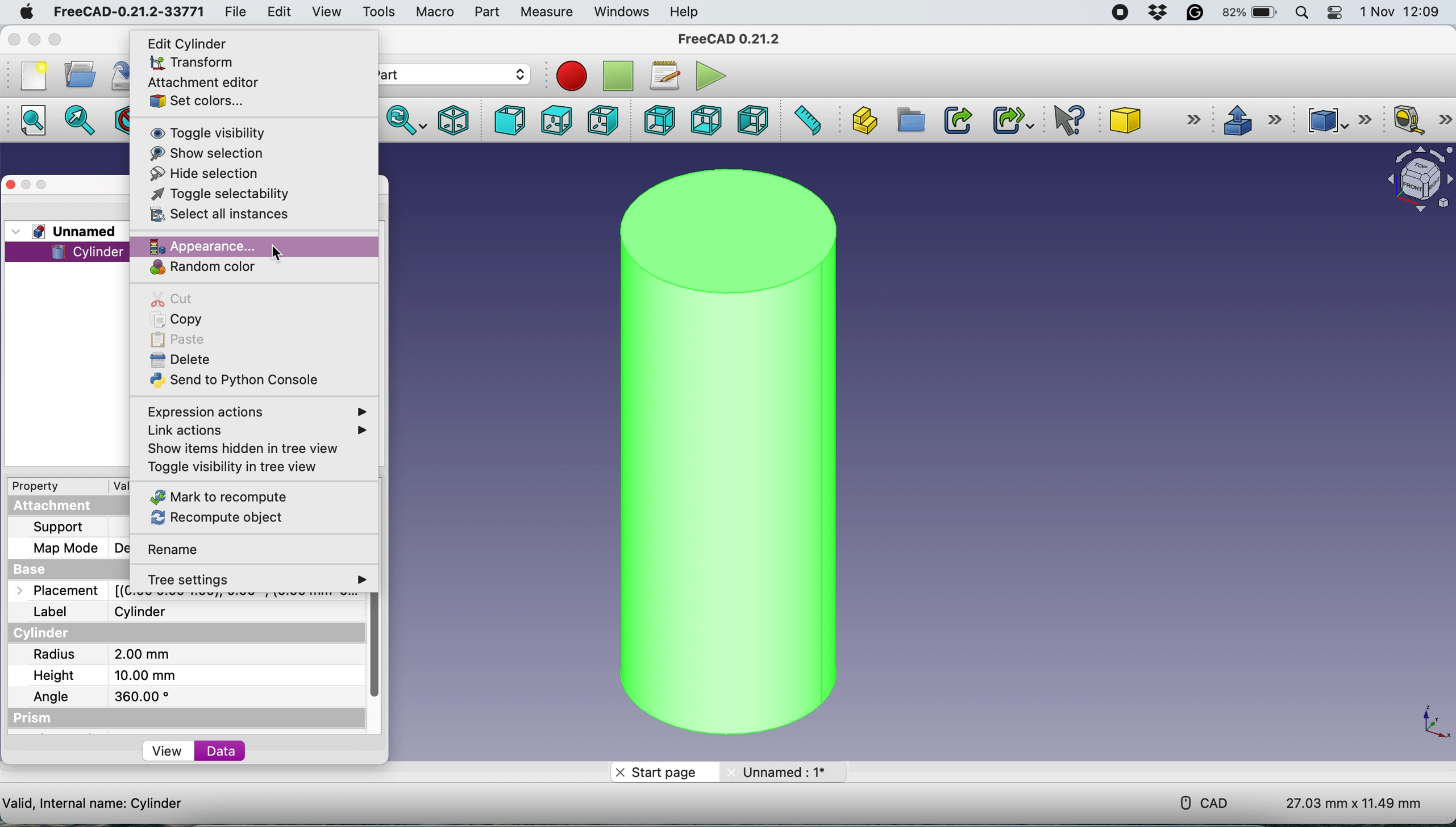 This screenshot has height=827, width=1456. What do you see at coordinates (1158, 15) in the screenshot?
I see `dropbox` at bounding box center [1158, 15].